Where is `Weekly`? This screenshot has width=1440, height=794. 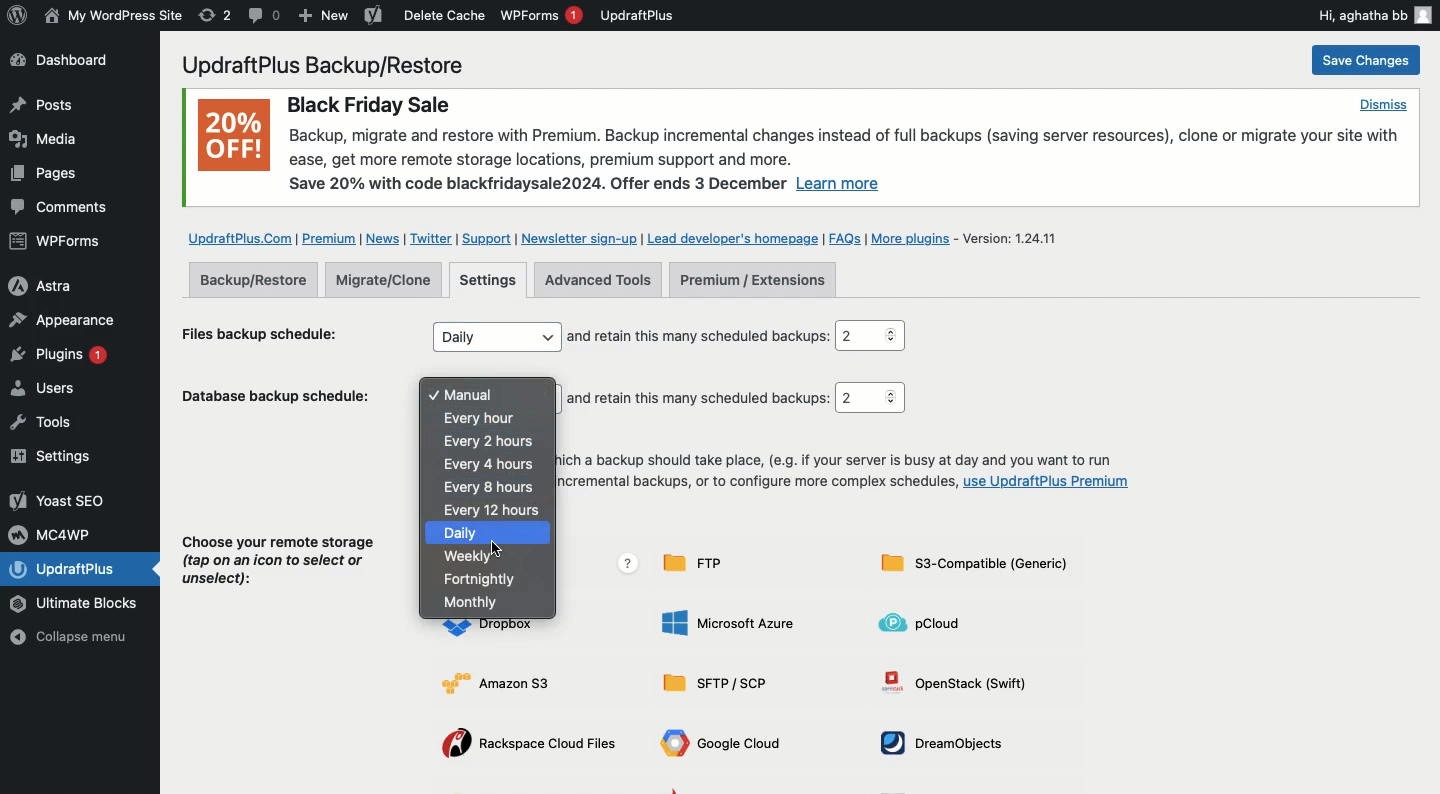
Weekly is located at coordinates (476, 558).